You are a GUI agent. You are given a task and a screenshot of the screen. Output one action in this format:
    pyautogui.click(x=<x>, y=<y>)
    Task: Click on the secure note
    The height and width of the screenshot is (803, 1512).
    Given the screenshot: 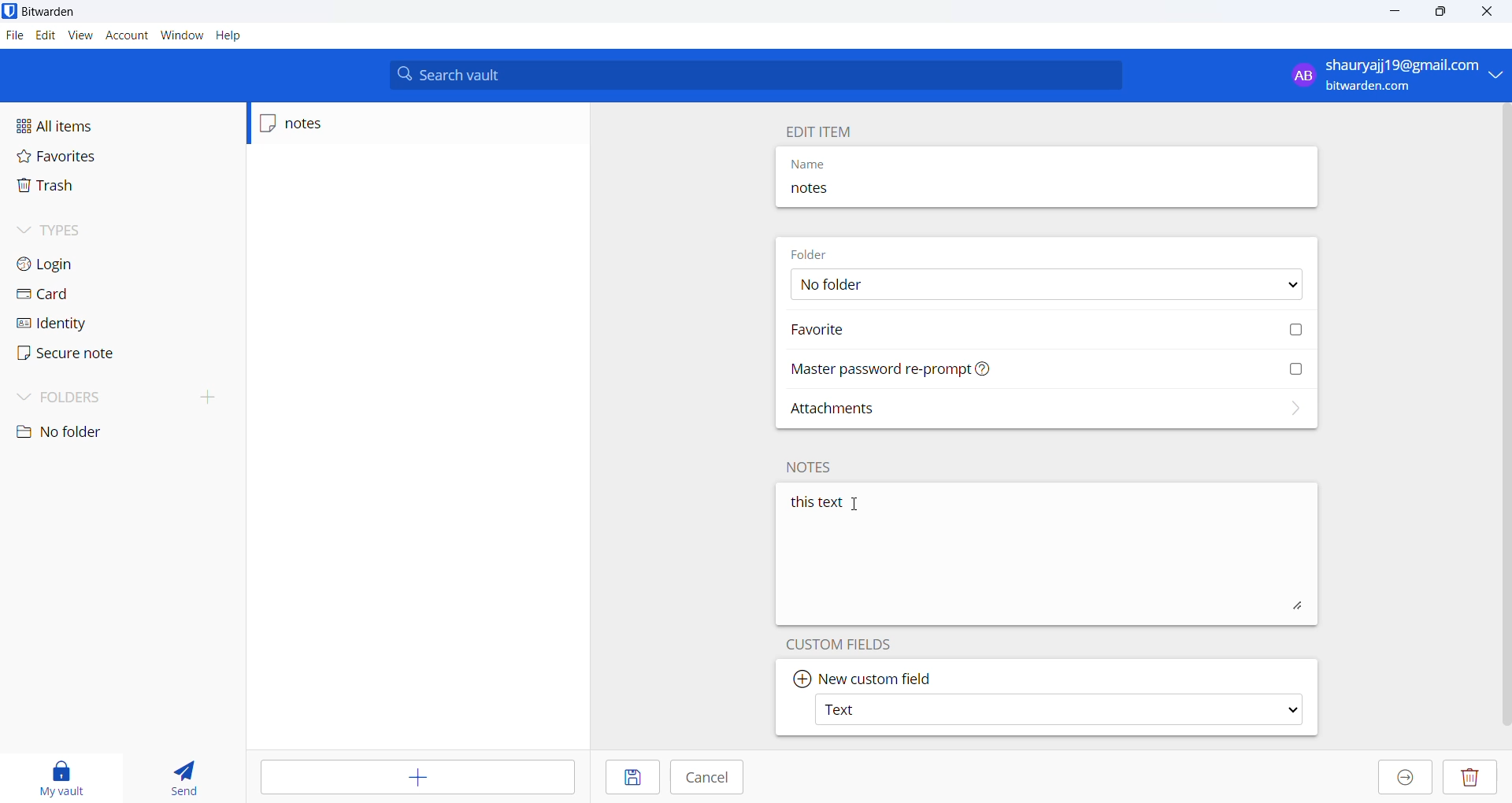 What is the action you would take?
    pyautogui.click(x=76, y=354)
    